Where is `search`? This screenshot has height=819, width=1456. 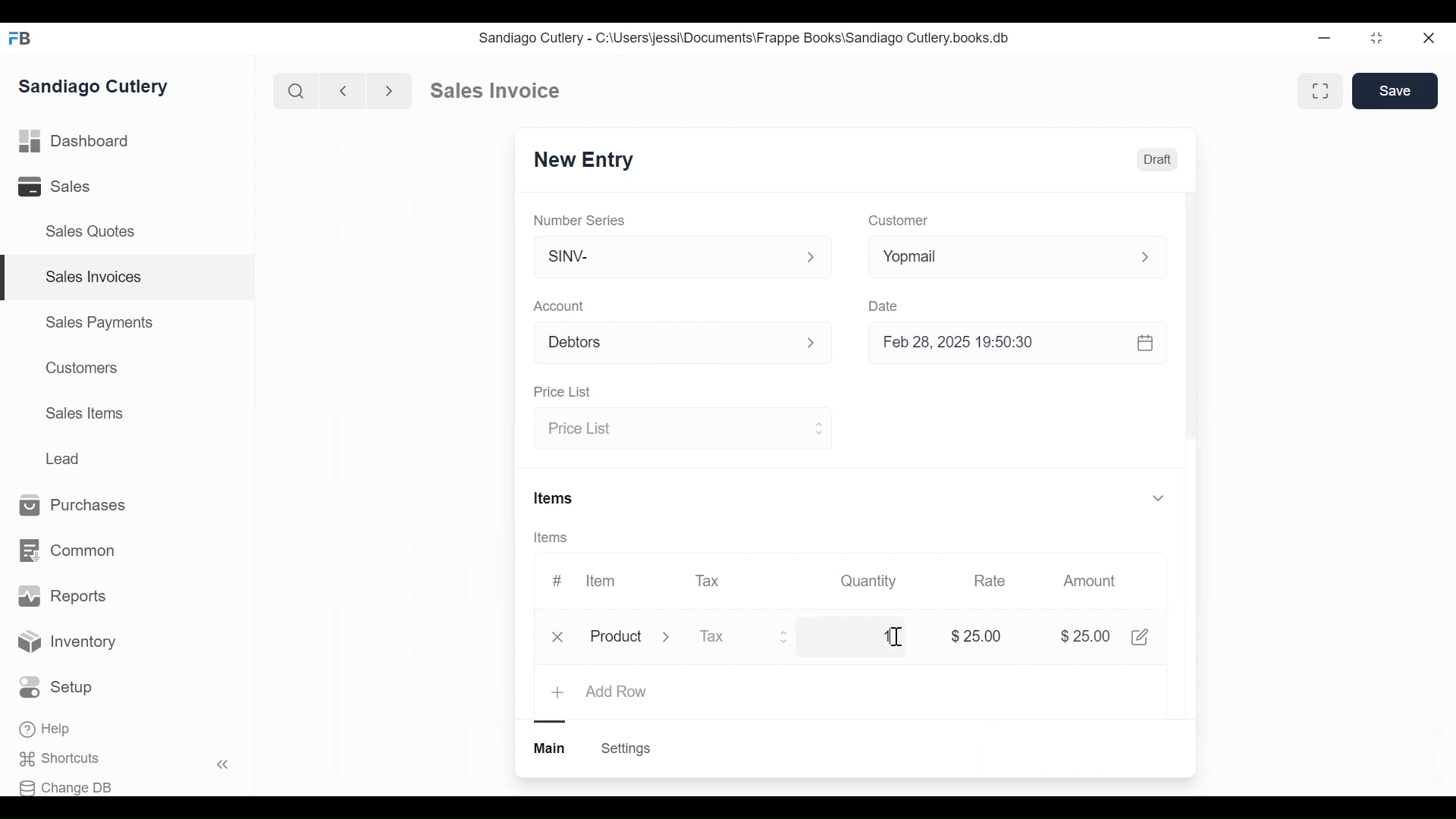 search is located at coordinates (297, 92).